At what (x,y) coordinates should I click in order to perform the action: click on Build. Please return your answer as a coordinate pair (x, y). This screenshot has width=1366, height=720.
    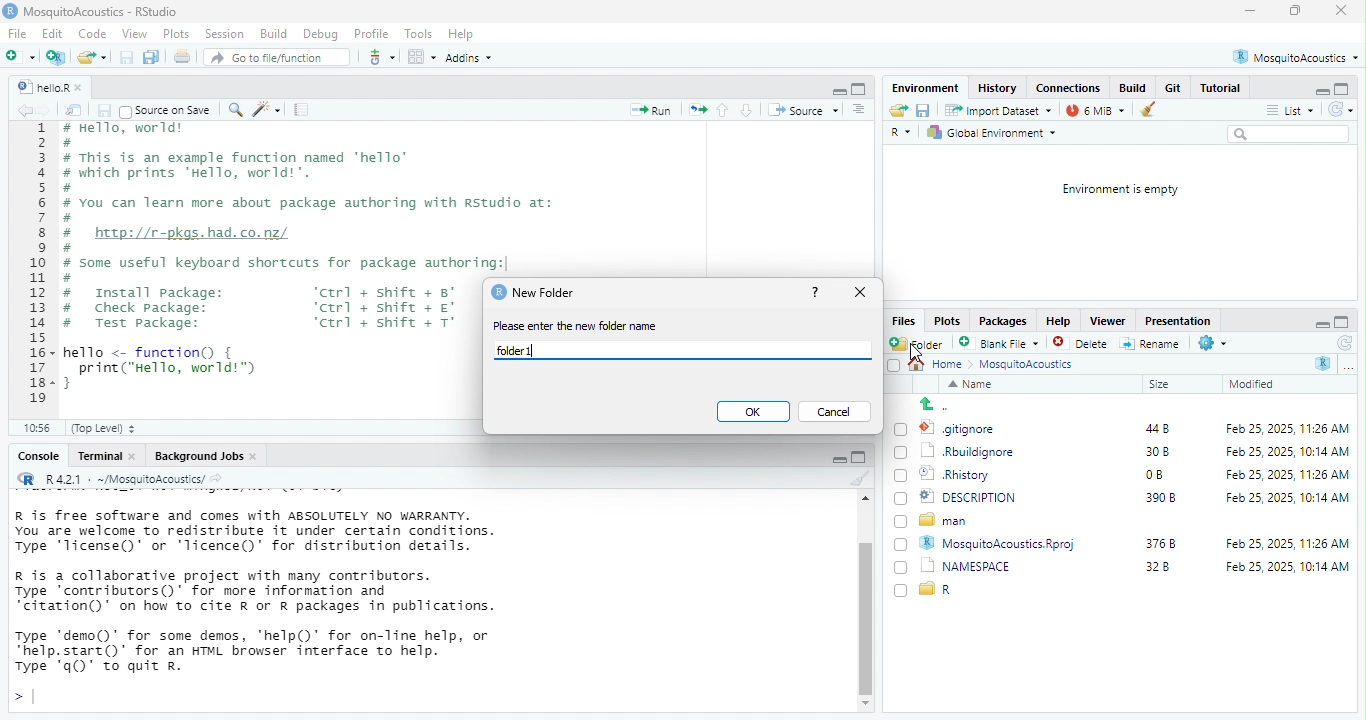
    Looking at the image, I should click on (273, 33).